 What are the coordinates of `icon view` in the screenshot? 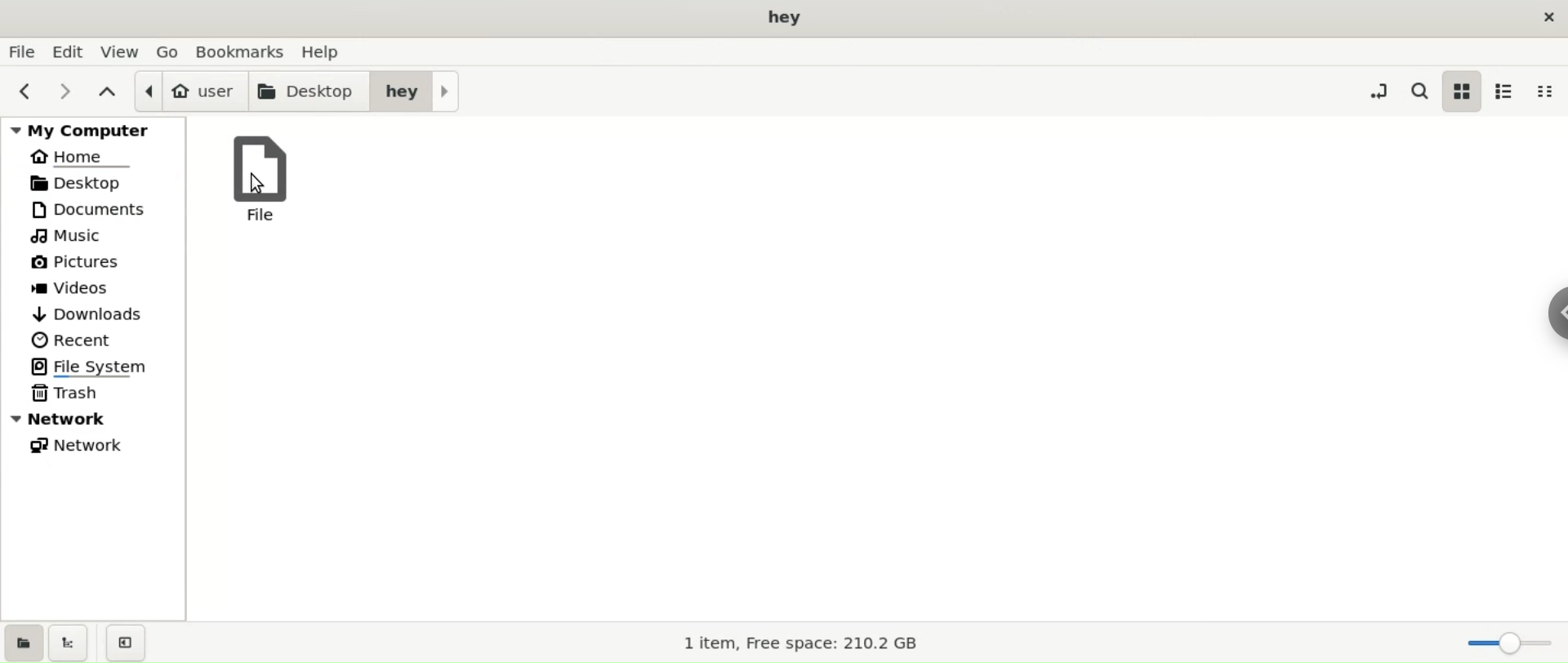 It's located at (1462, 91).